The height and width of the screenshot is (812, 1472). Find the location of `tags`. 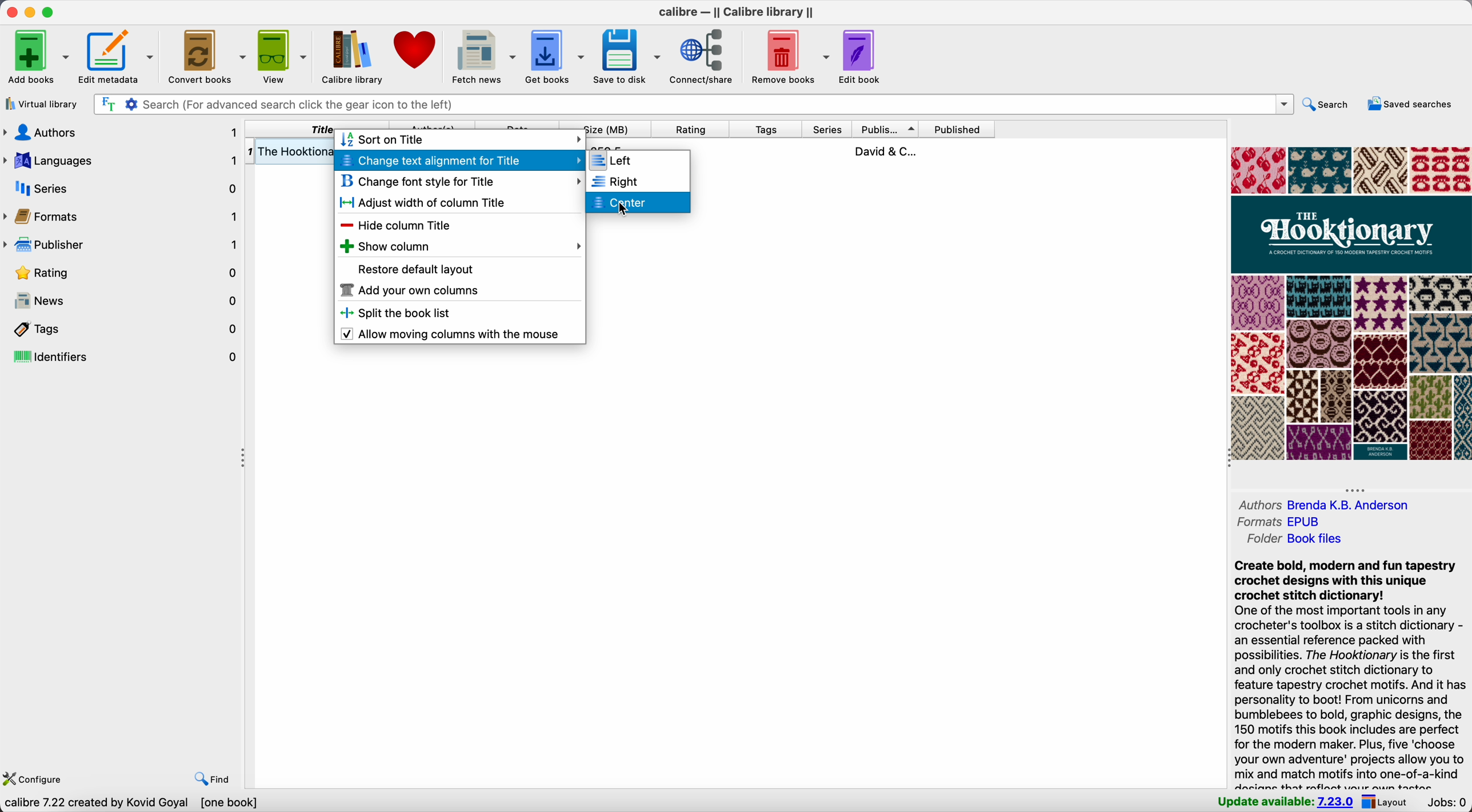

tags is located at coordinates (769, 129).